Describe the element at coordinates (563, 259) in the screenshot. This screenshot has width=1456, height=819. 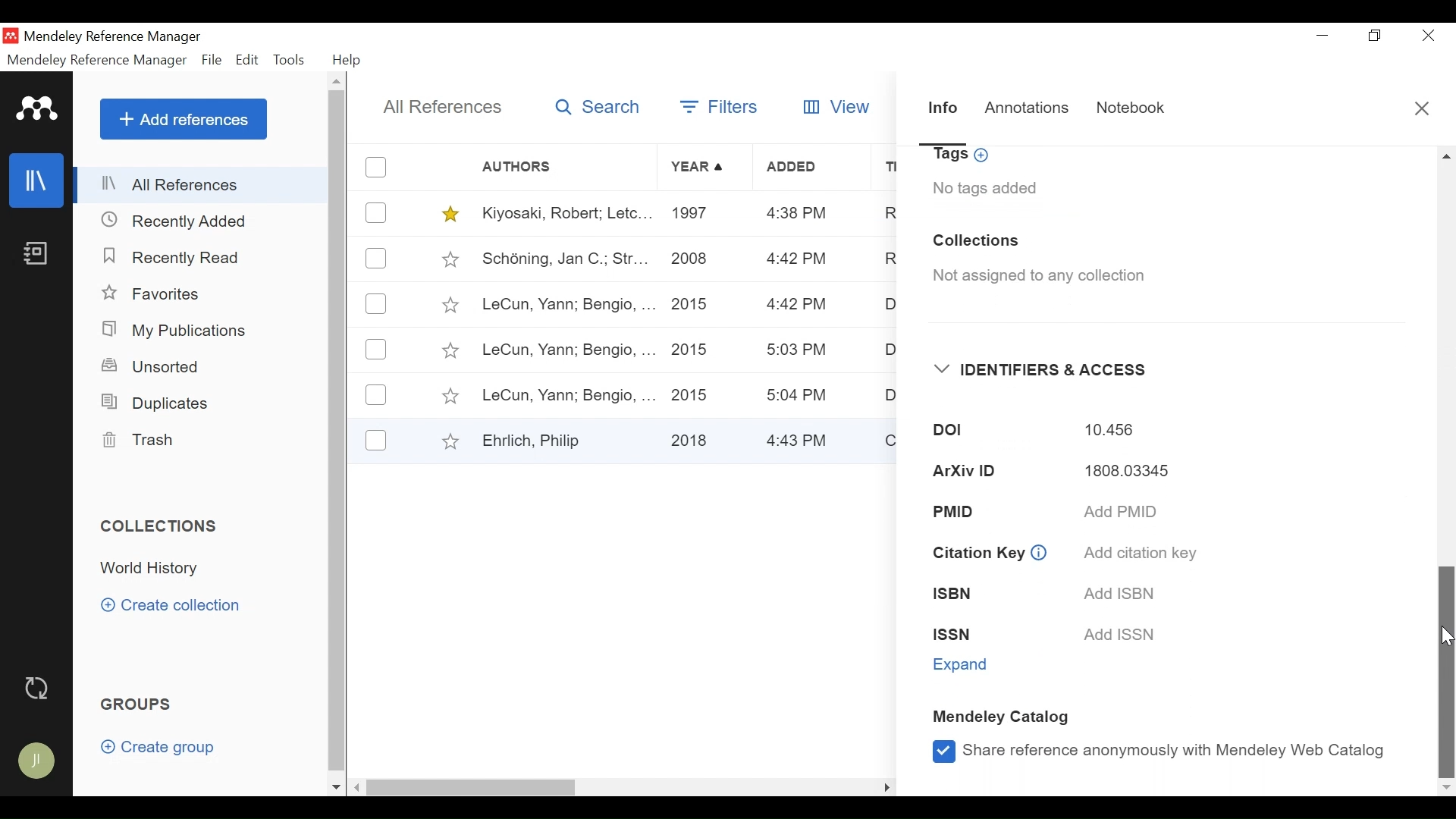
I see `Schéning, Jan C.; Str...` at that location.